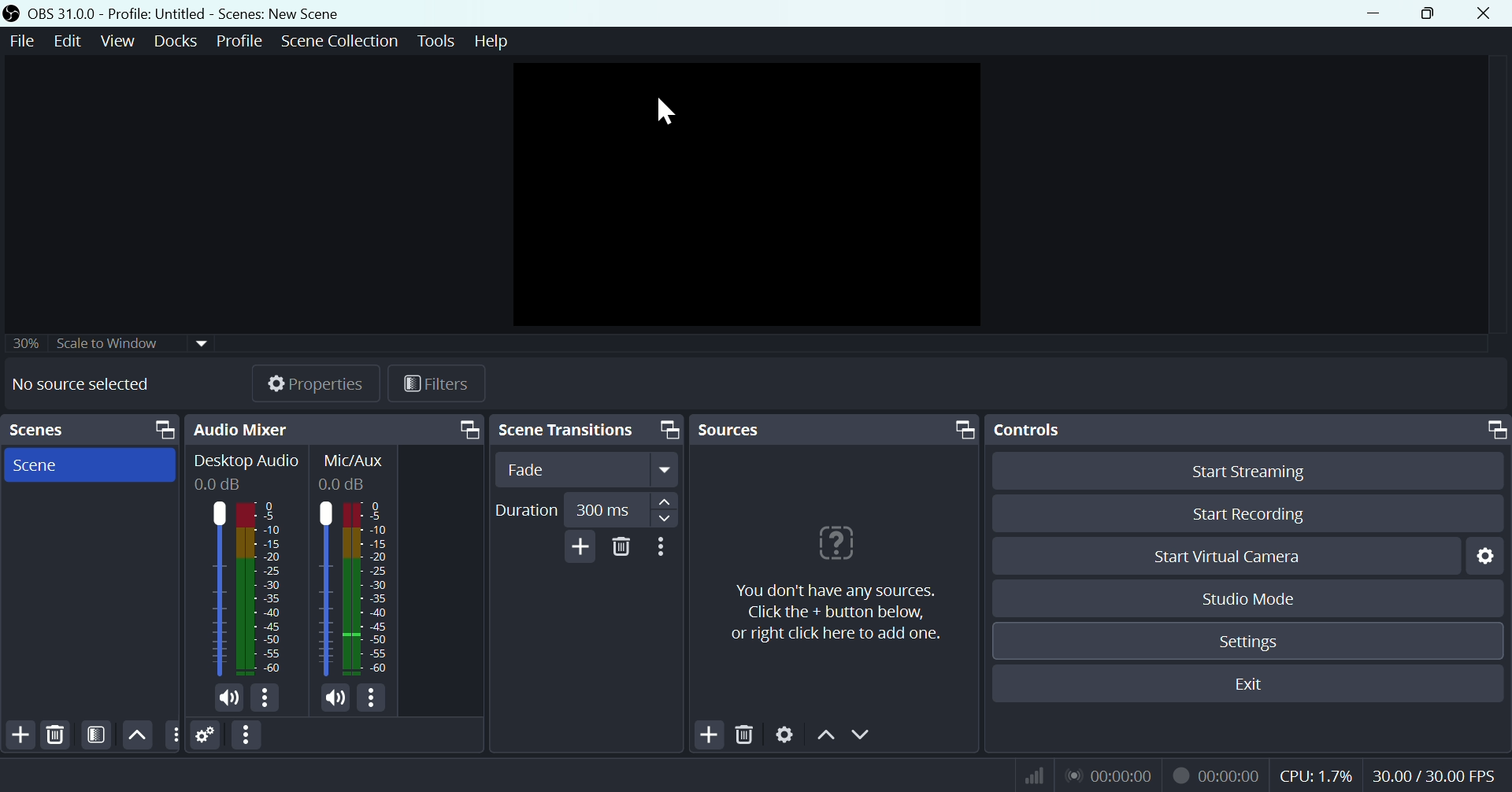 Image resolution: width=1512 pixels, height=792 pixels. What do you see at coordinates (822, 736) in the screenshot?
I see `Up` at bounding box center [822, 736].